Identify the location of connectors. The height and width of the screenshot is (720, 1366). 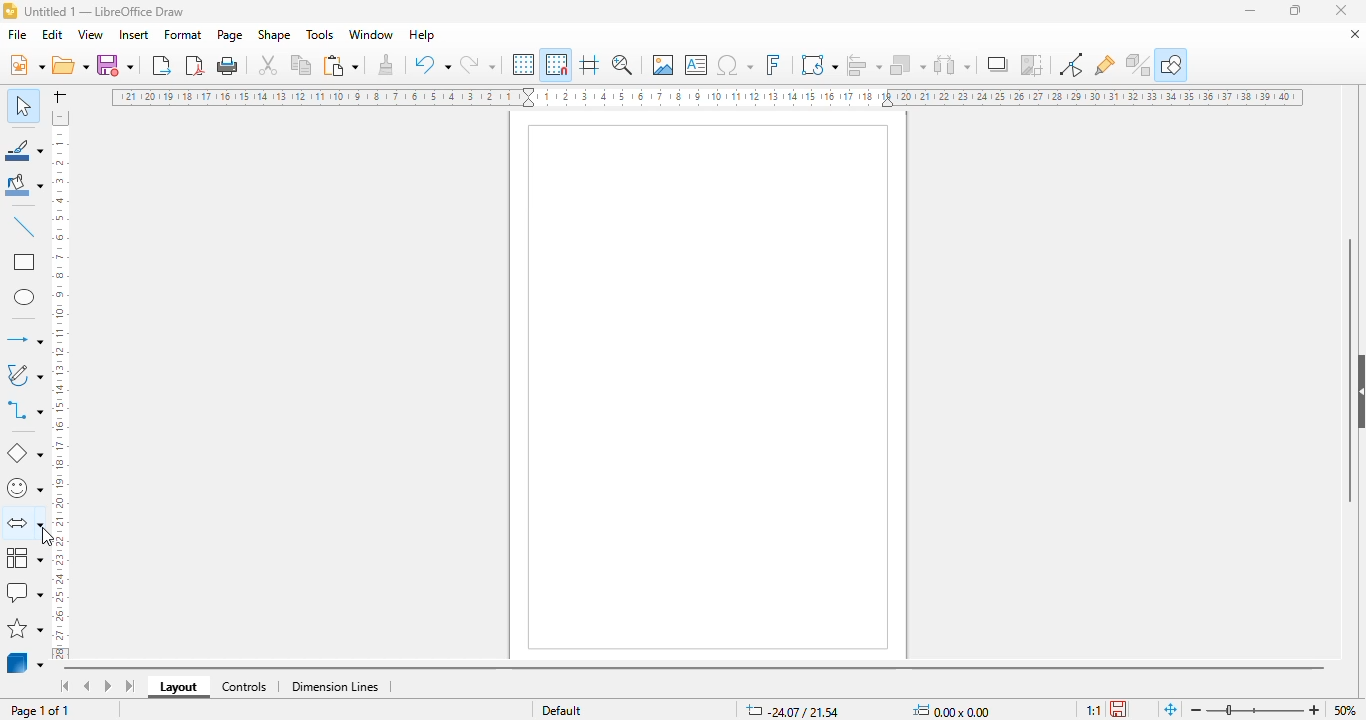
(24, 409).